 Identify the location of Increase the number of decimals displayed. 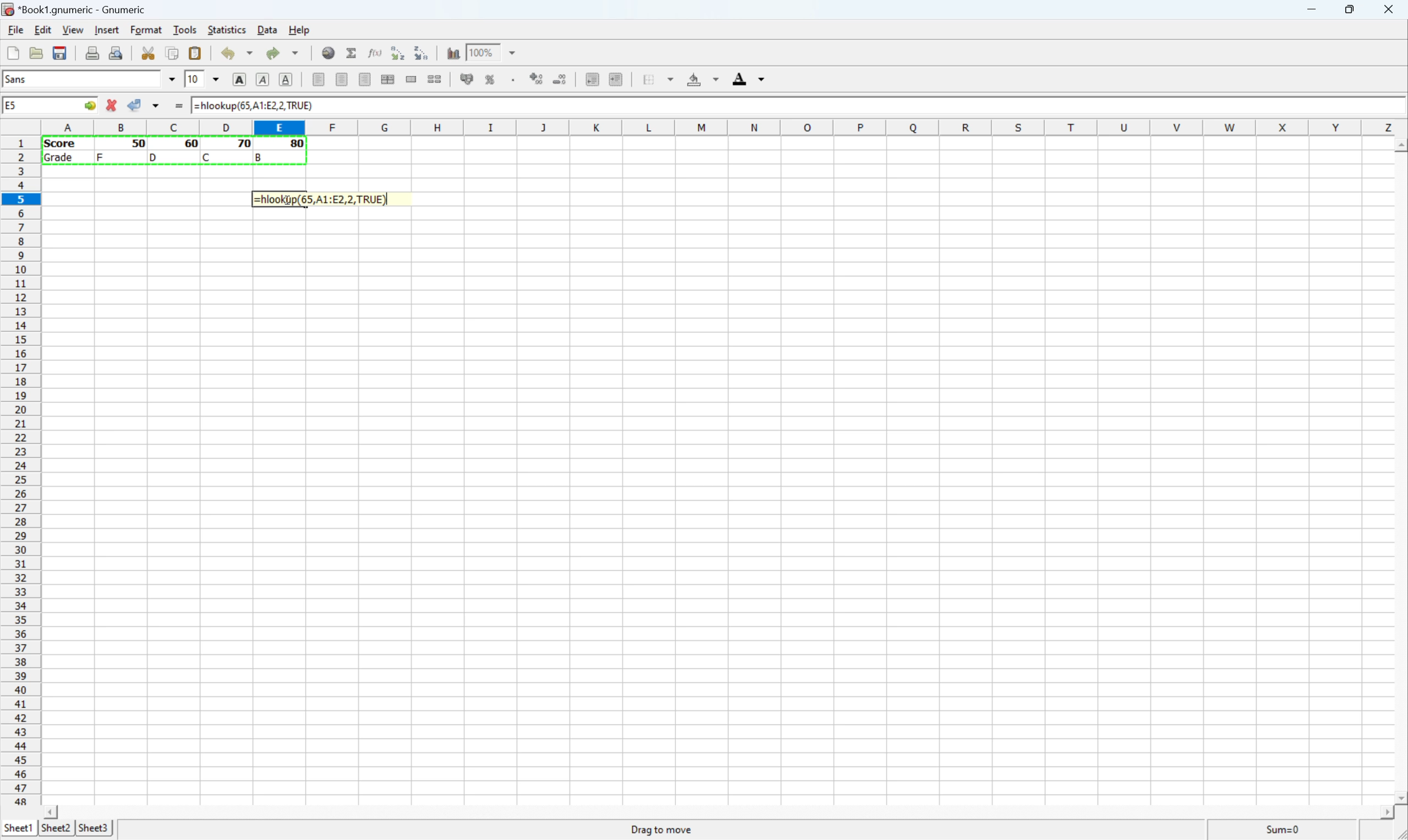
(537, 78).